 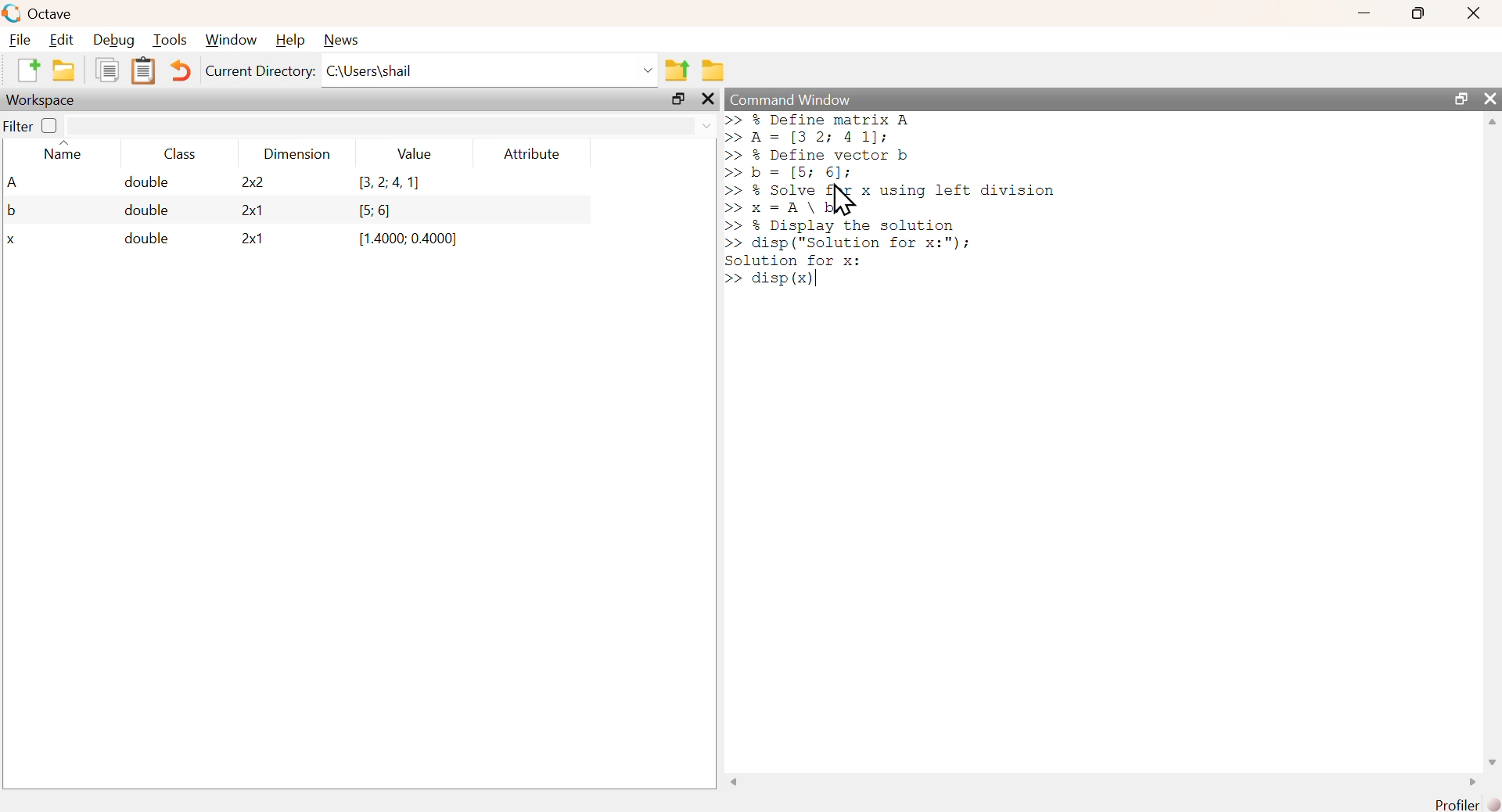 I want to click on 2x1, so click(x=243, y=210).